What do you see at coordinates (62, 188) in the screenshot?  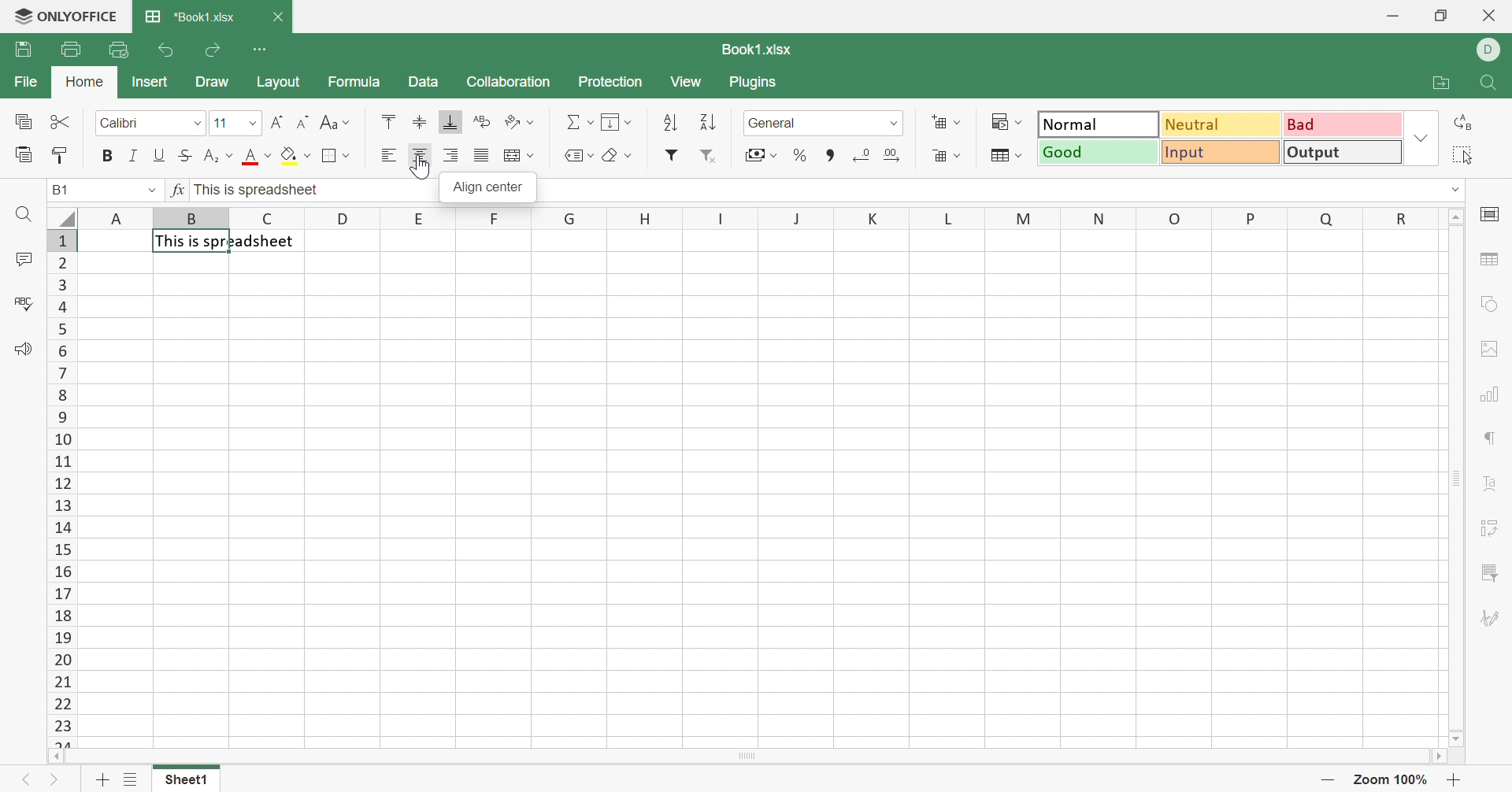 I see `A1` at bounding box center [62, 188].